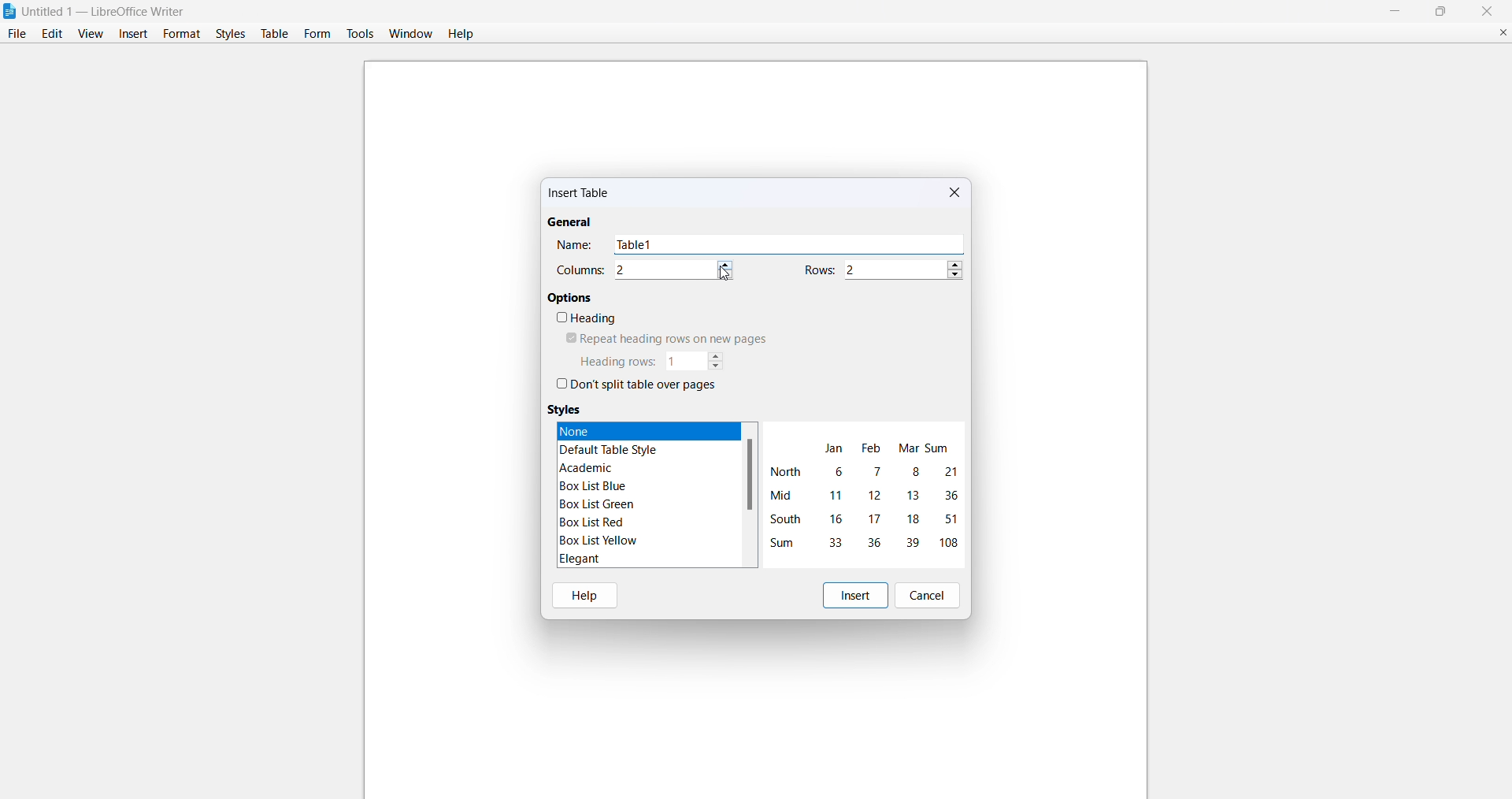  Describe the element at coordinates (274, 34) in the screenshot. I see `table` at that location.